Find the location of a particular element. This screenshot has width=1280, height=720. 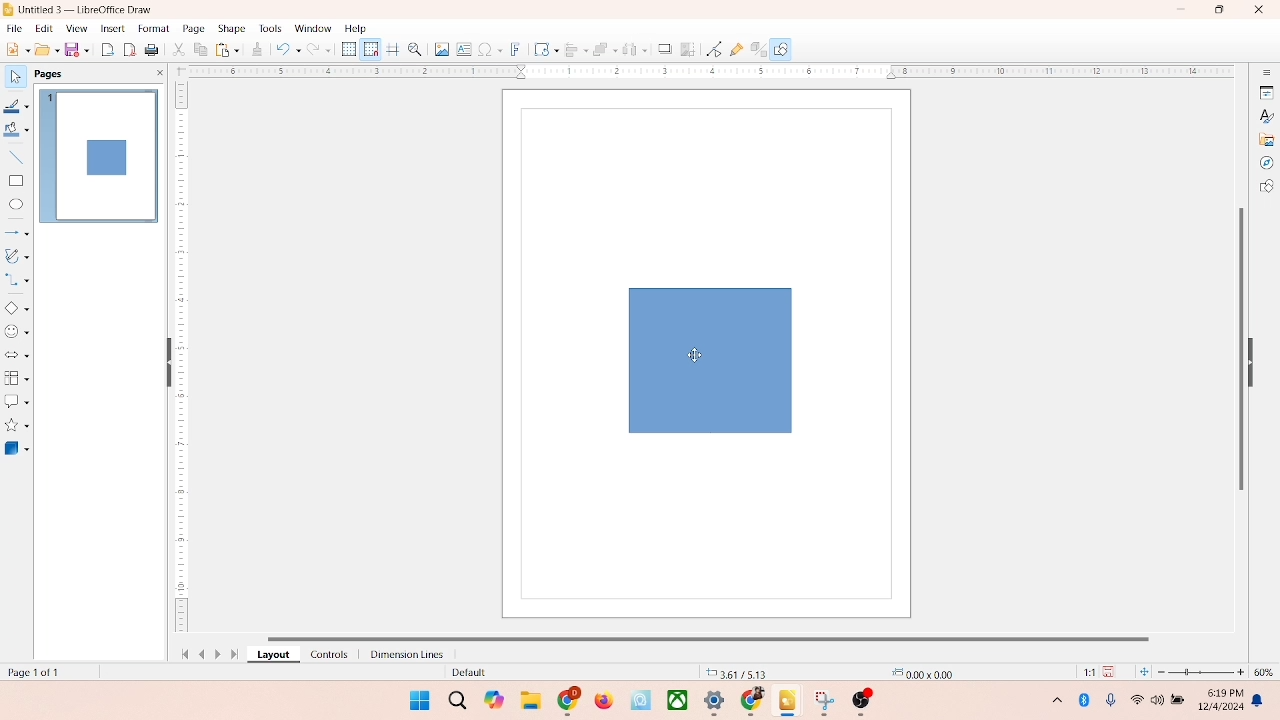

ellipse is located at coordinates (16, 205).